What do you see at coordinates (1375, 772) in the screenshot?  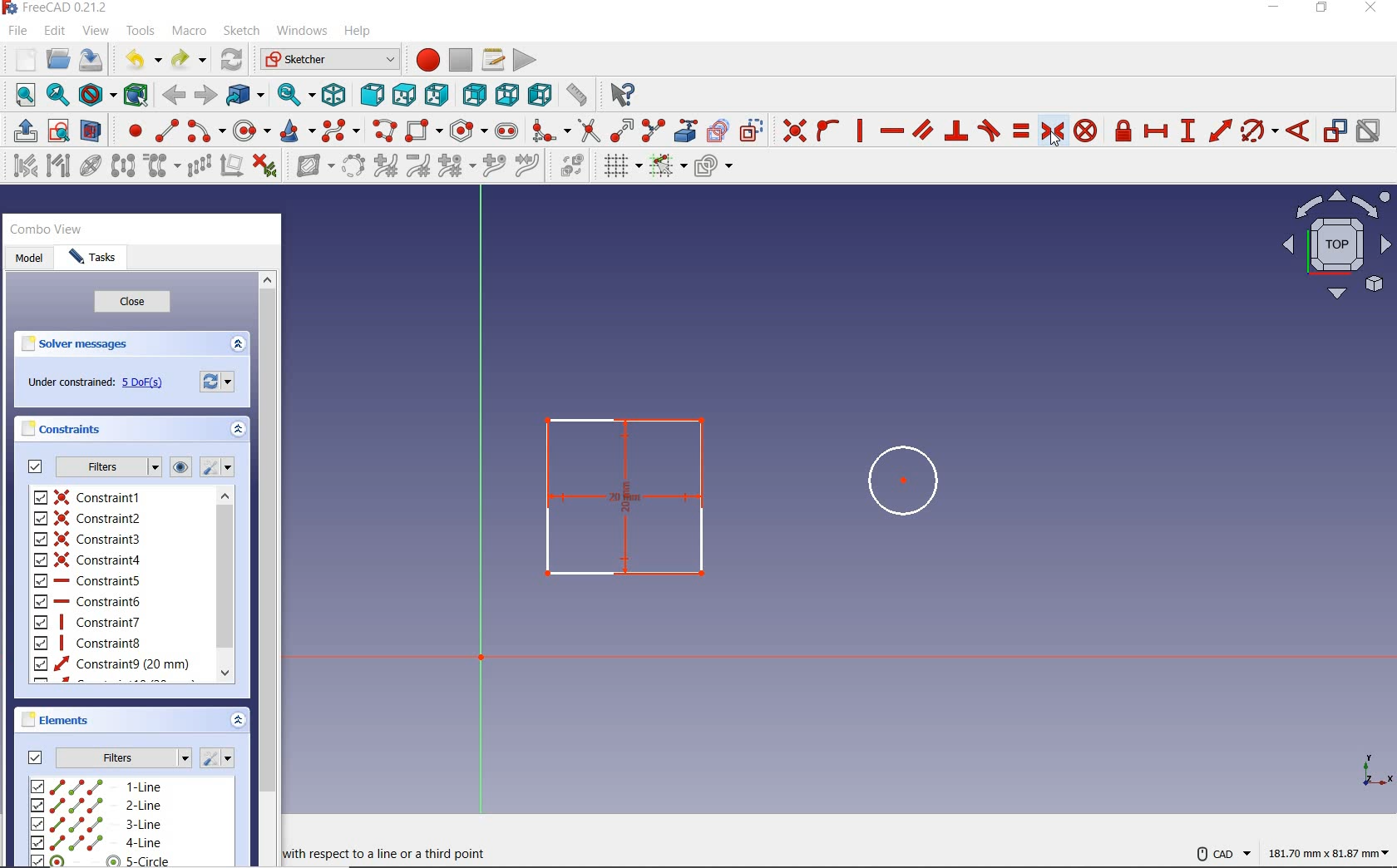 I see `xyz view` at bounding box center [1375, 772].